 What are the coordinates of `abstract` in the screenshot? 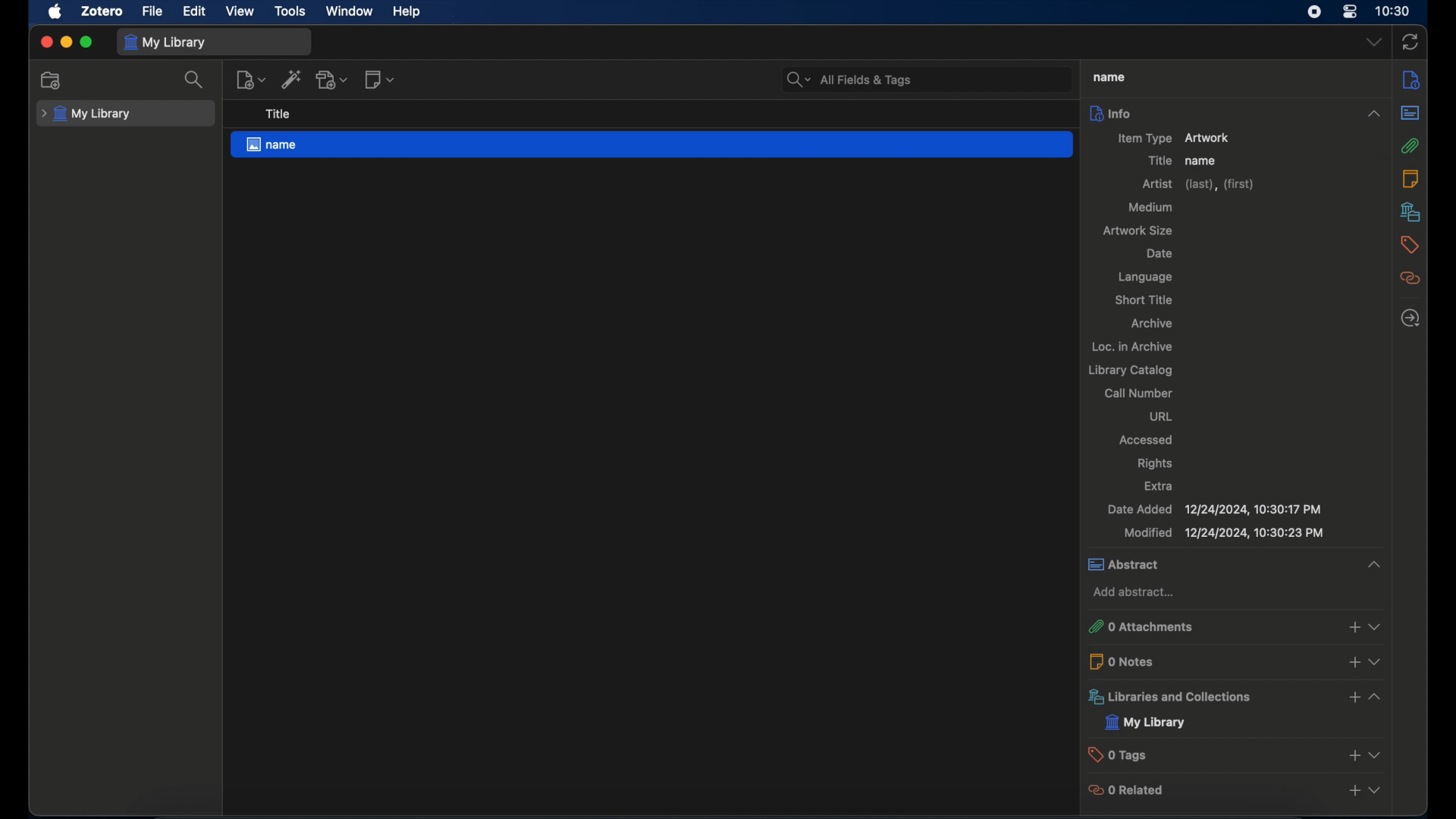 It's located at (1150, 565).